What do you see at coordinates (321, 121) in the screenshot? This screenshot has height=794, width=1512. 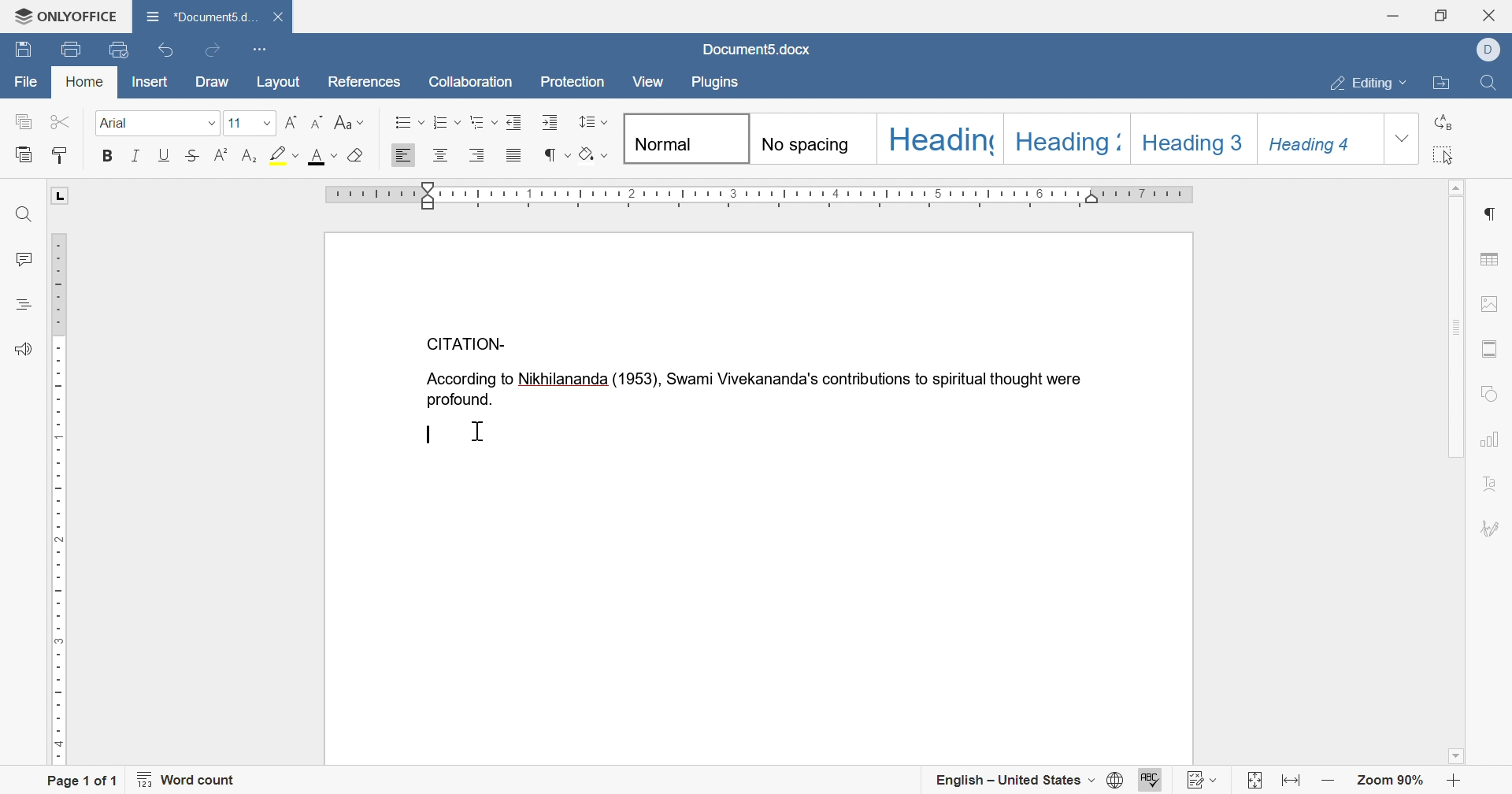 I see `decrement font size` at bounding box center [321, 121].